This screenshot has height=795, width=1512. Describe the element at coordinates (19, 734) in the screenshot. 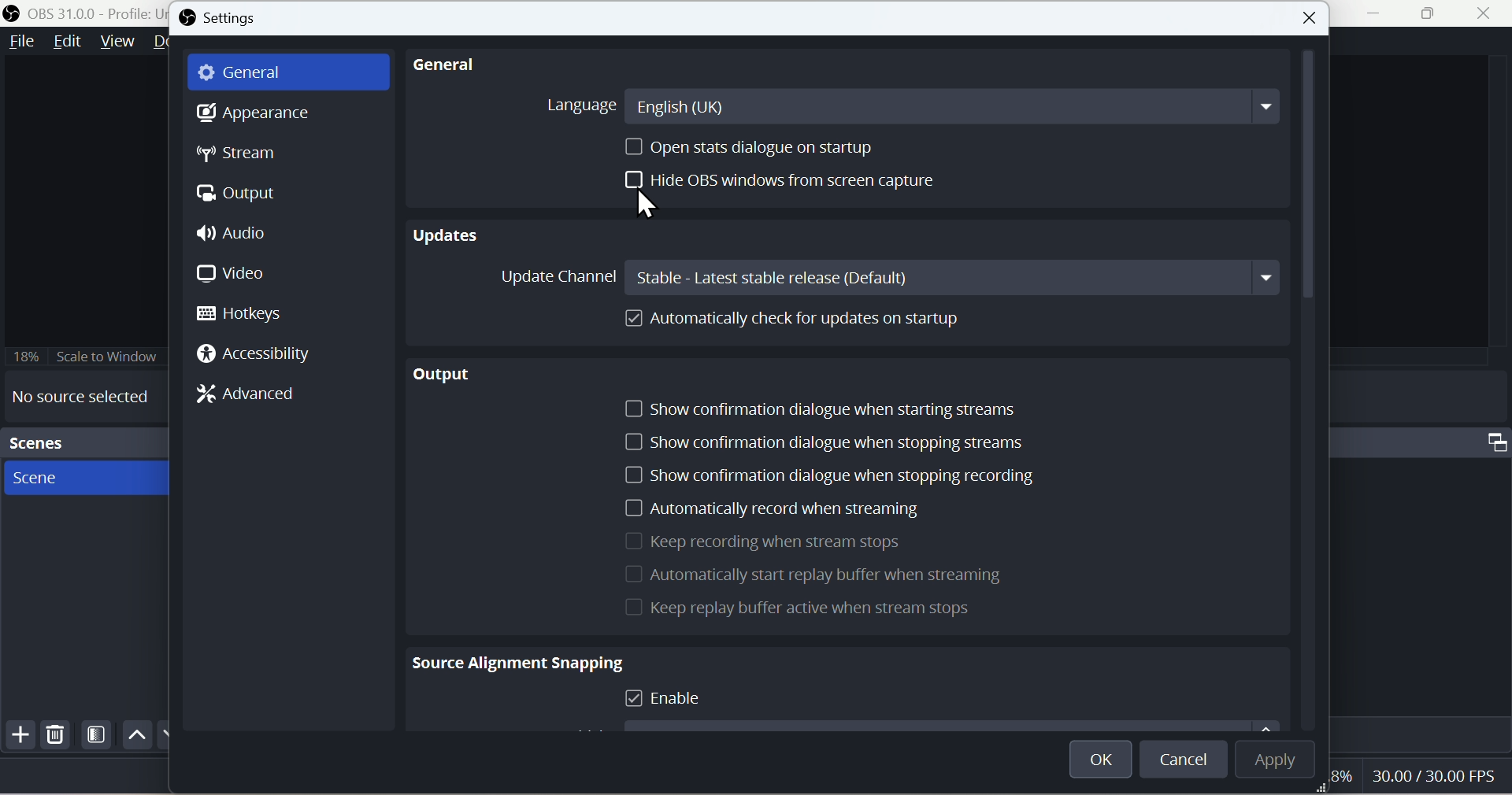

I see `Add file` at that location.